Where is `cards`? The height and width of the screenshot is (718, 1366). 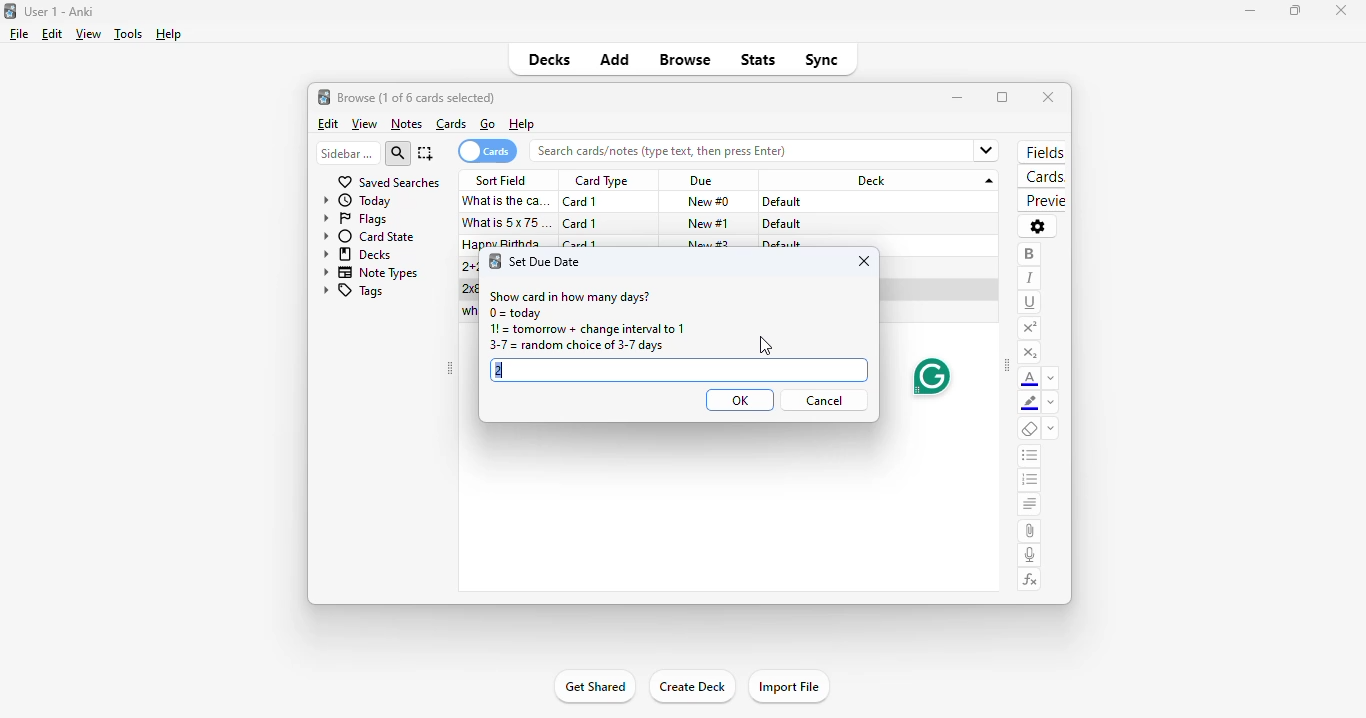
cards is located at coordinates (487, 151).